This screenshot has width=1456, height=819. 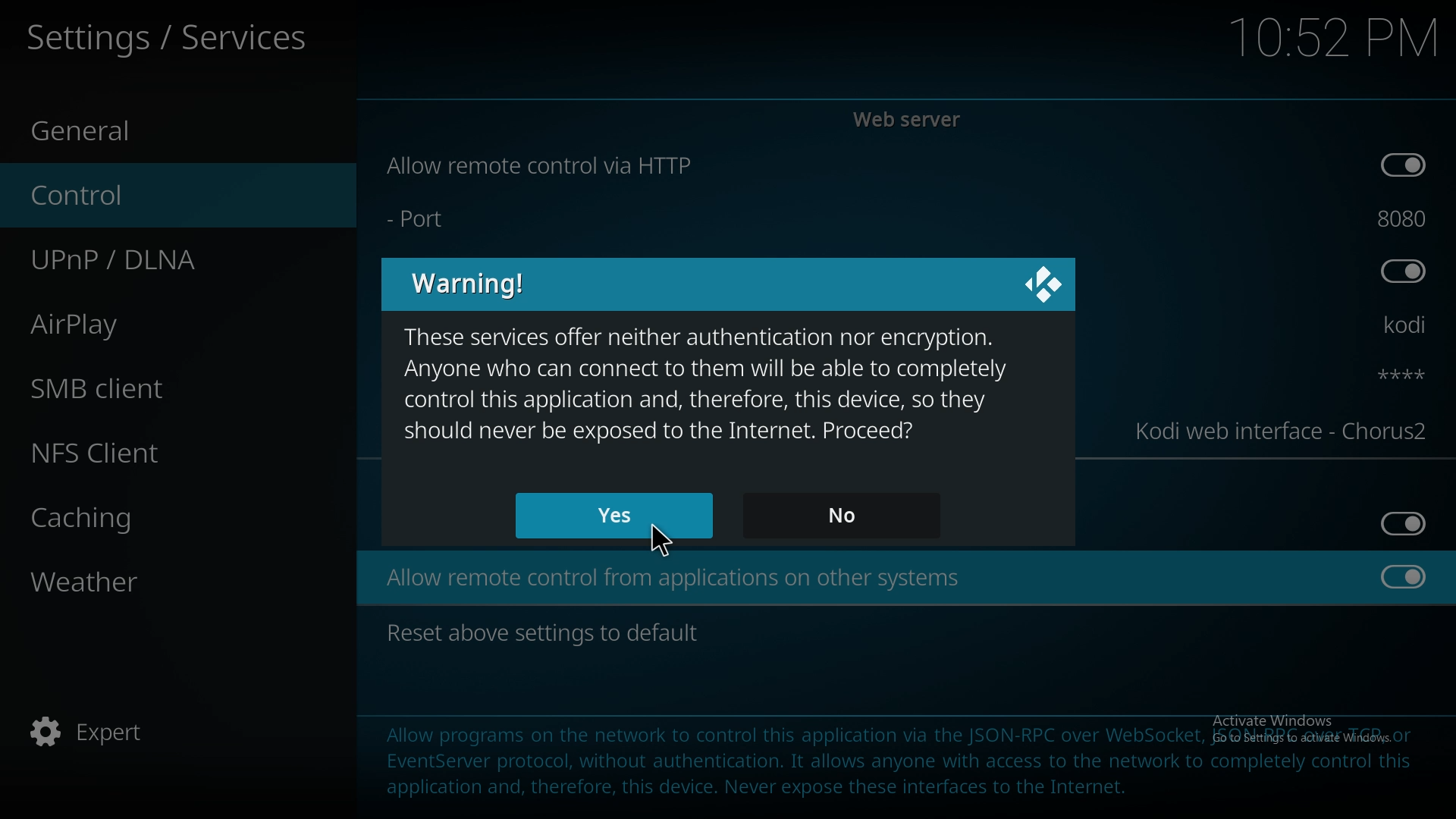 I want to click on general, so click(x=160, y=132).